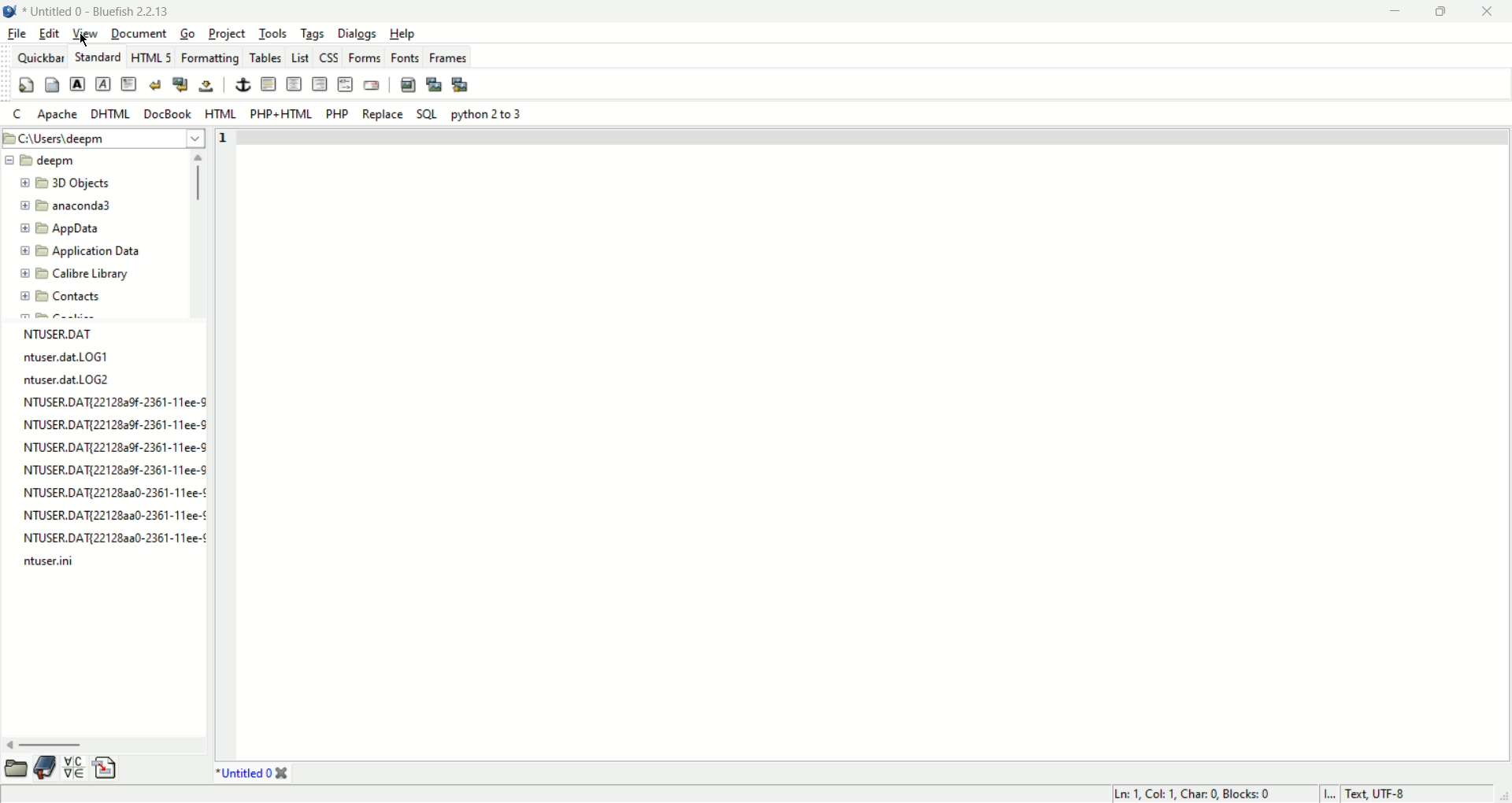  What do you see at coordinates (48, 160) in the screenshot?
I see `deepm` at bounding box center [48, 160].